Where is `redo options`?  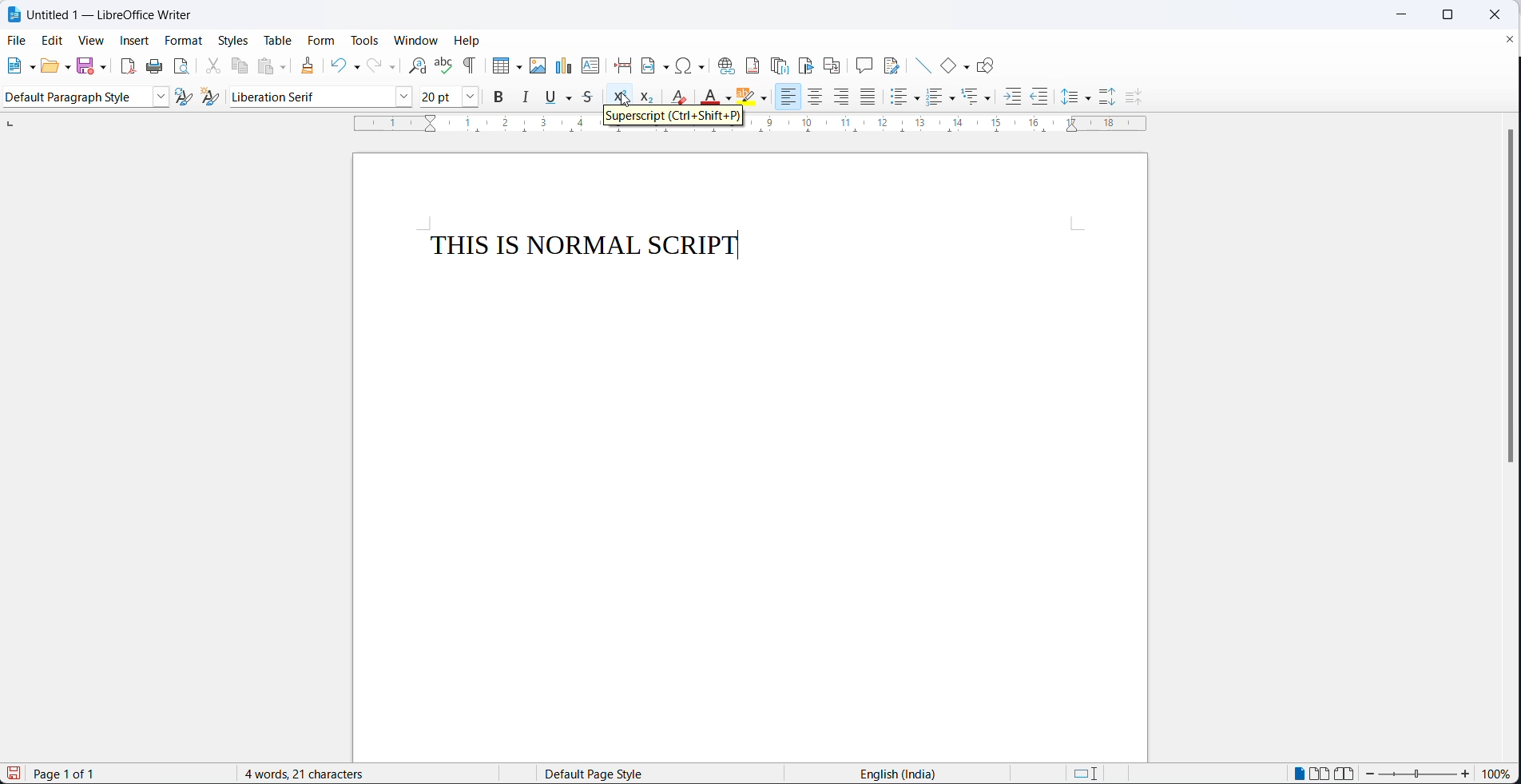
redo options is located at coordinates (392, 67).